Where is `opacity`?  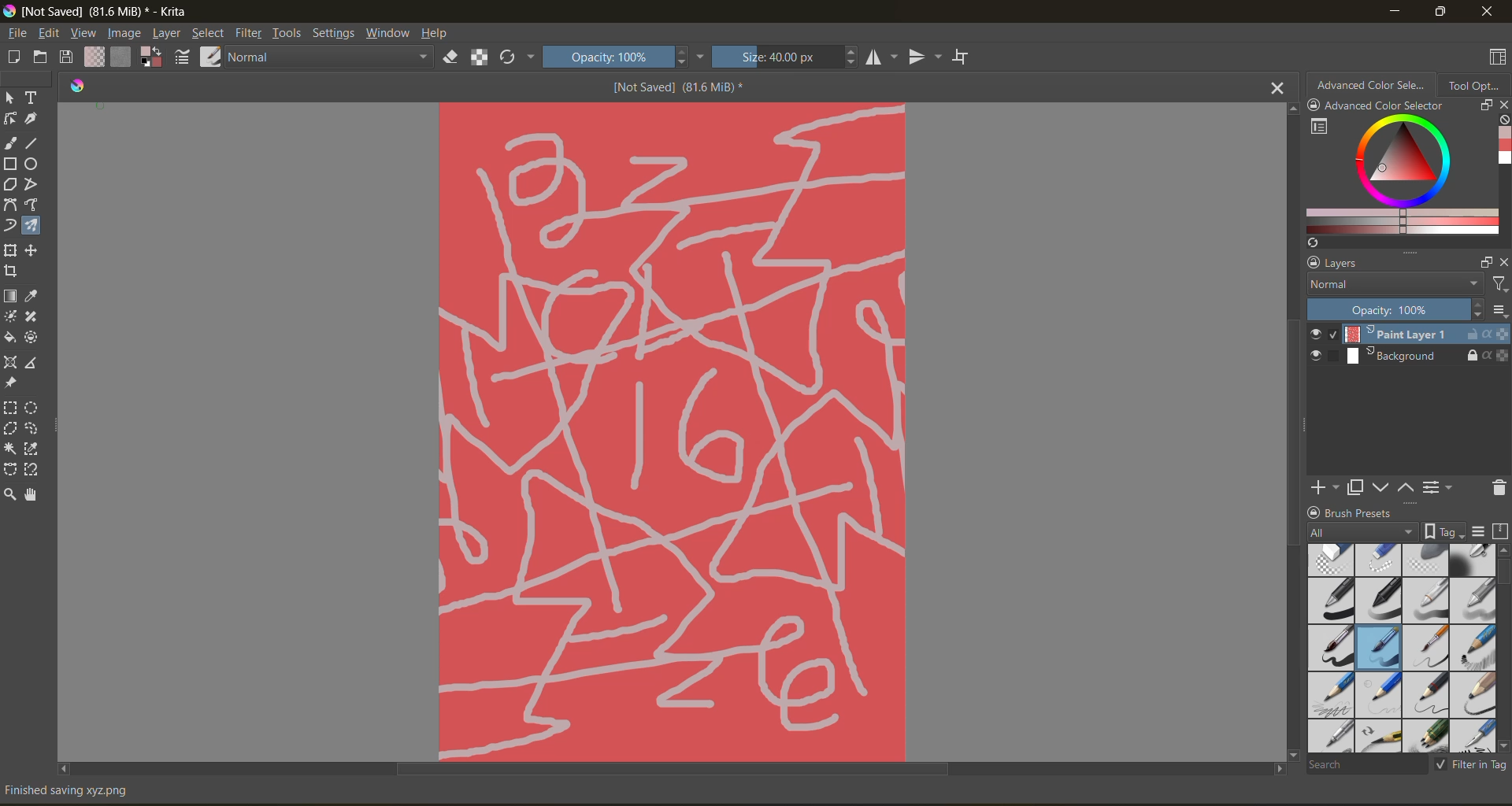 opacity is located at coordinates (1408, 310).